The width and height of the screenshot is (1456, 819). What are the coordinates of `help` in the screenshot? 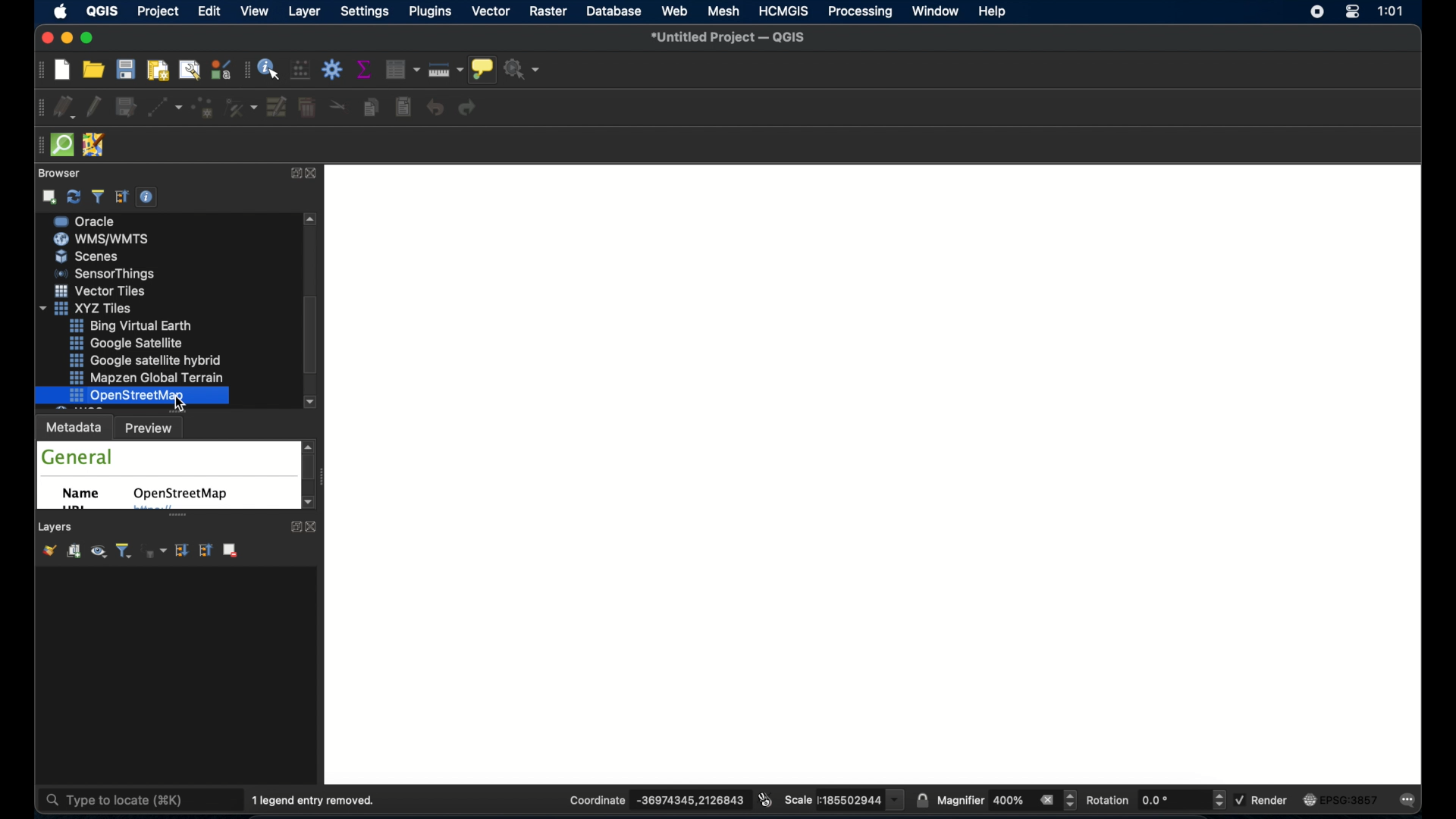 It's located at (992, 11).